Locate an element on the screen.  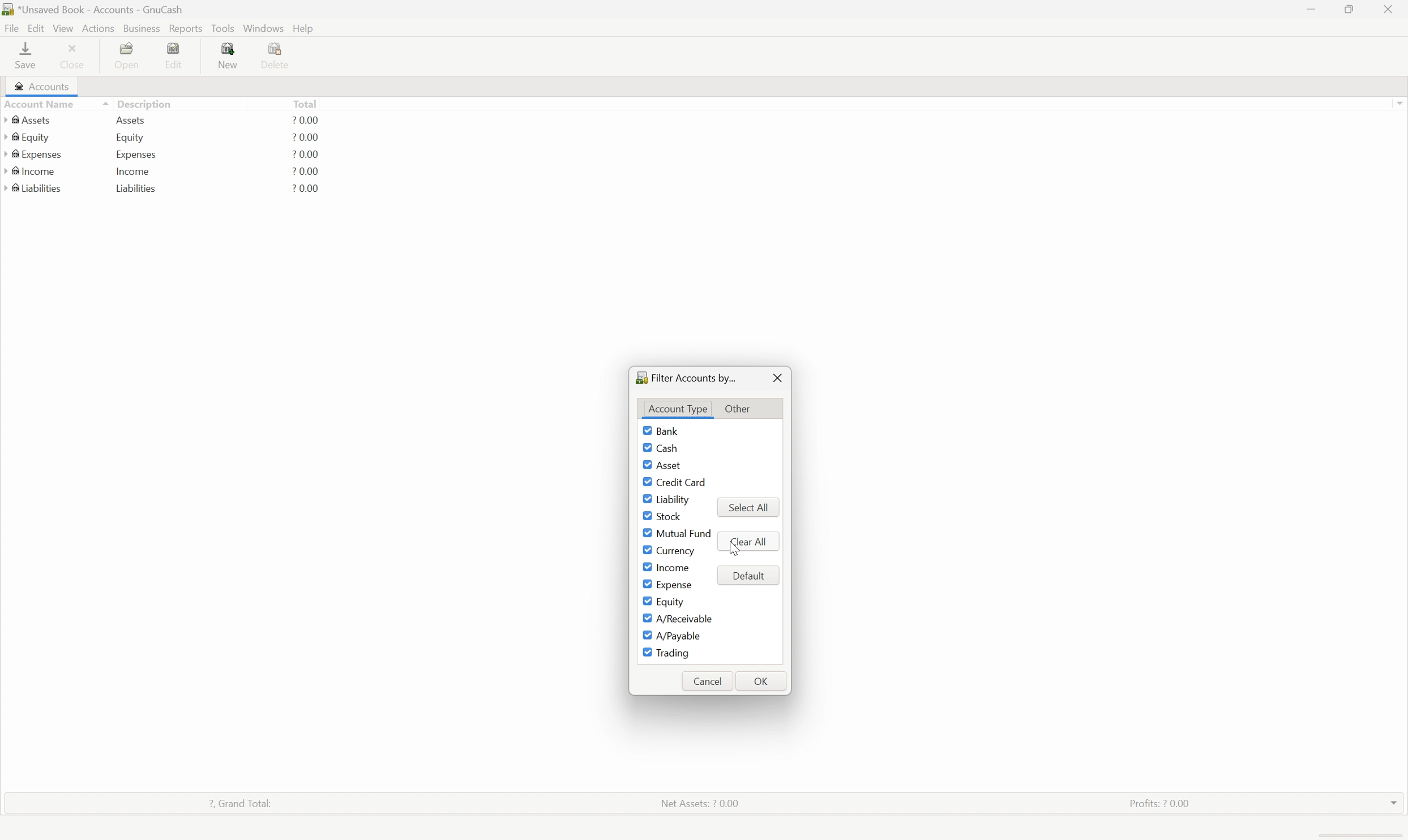
Delete is located at coordinates (278, 57).